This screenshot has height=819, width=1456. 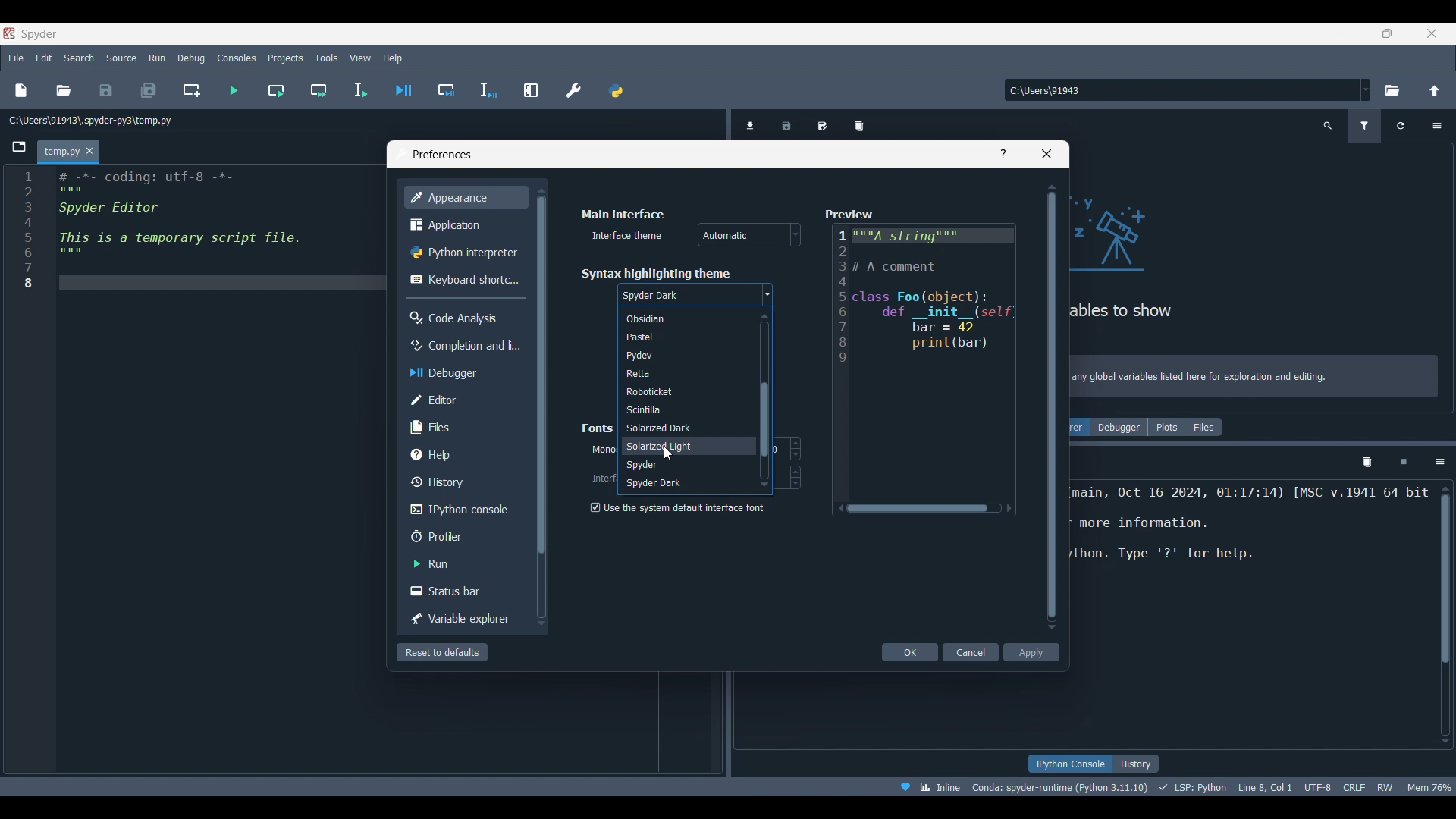 What do you see at coordinates (668, 453) in the screenshot?
I see `cursor` at bounding box center [668, 453].